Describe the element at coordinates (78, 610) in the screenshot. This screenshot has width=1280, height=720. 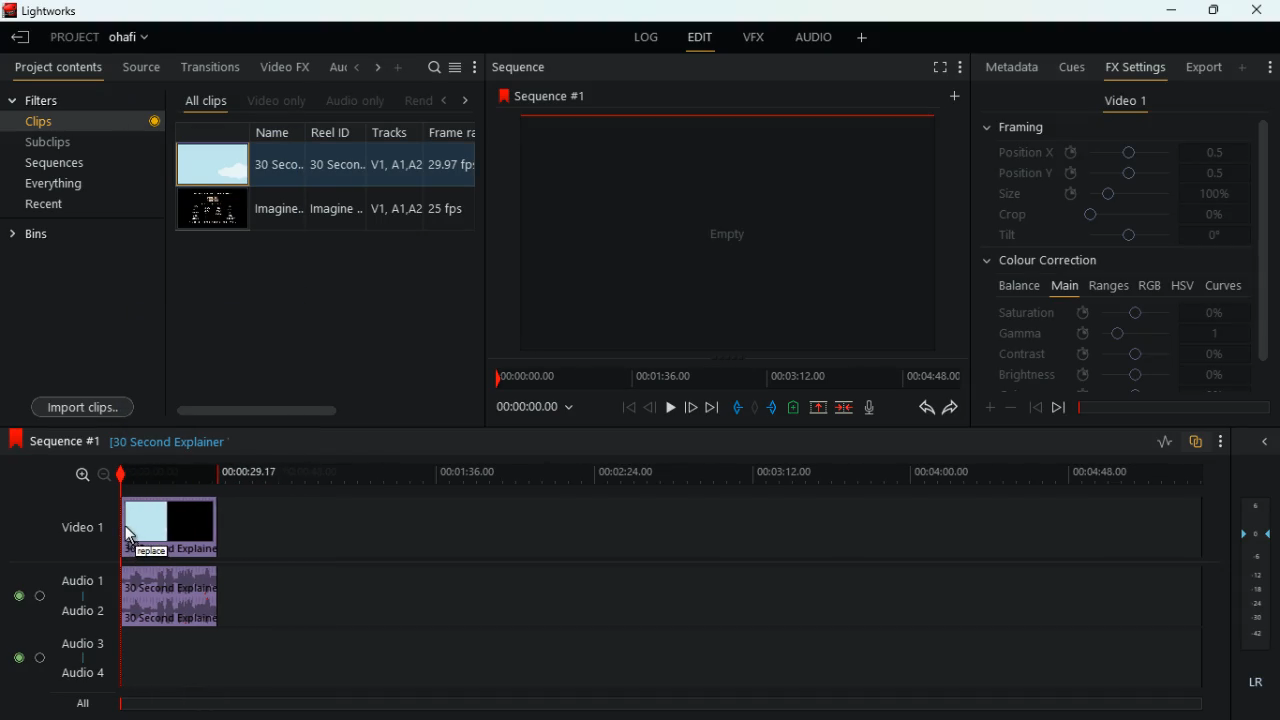
I see `audio 2` at that location.